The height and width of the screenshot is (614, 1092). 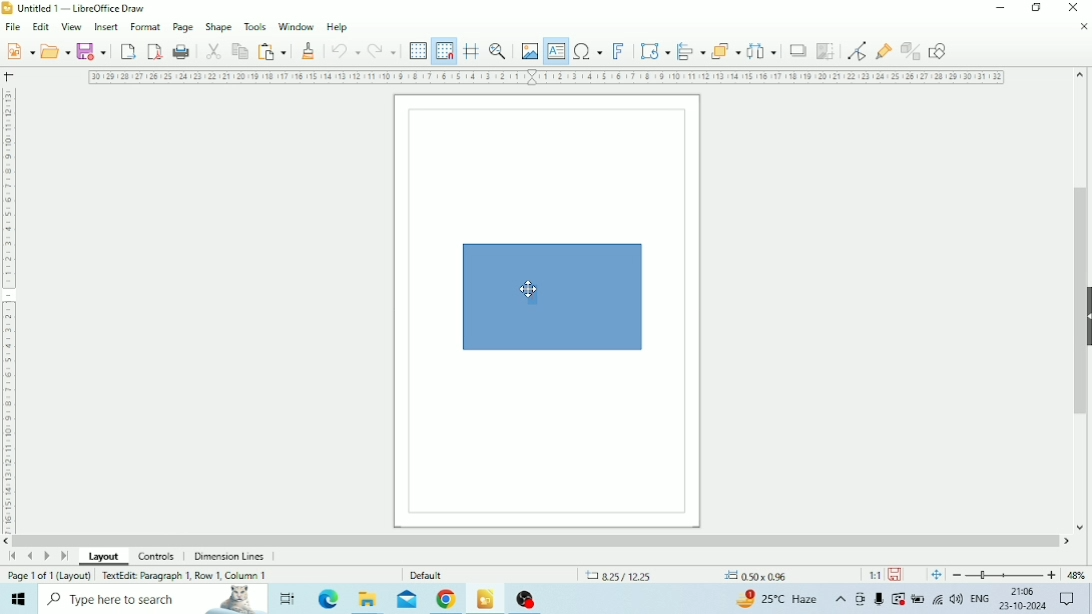 What do you see at coordinates (152, 600) in the screenshot?
I see `Type here to search` at bounding box center [152, 600].